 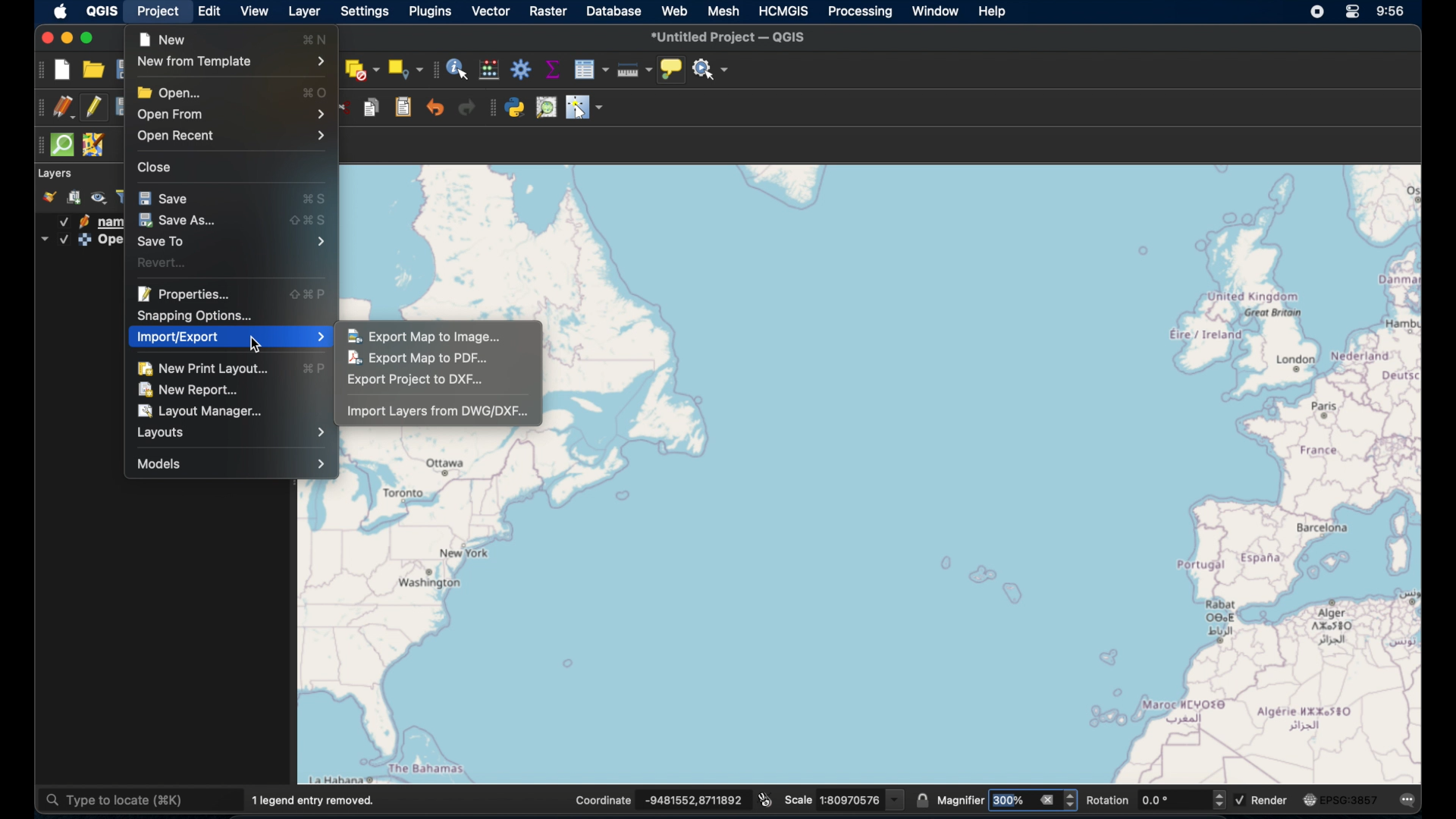 I want to click on new project, so click(x=64, y=71).